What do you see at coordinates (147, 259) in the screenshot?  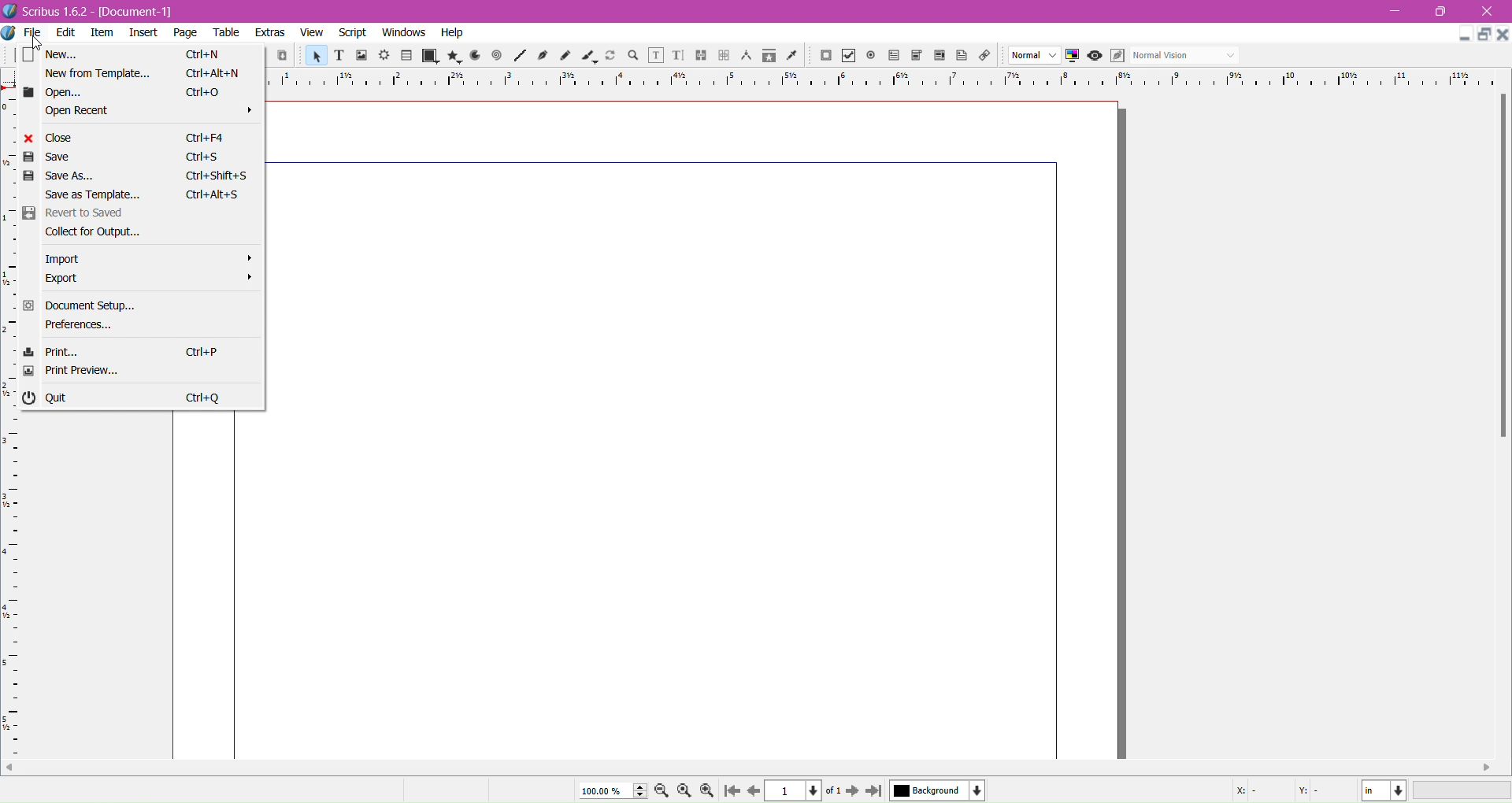 I see `Import` at bounding box center [147, 259].